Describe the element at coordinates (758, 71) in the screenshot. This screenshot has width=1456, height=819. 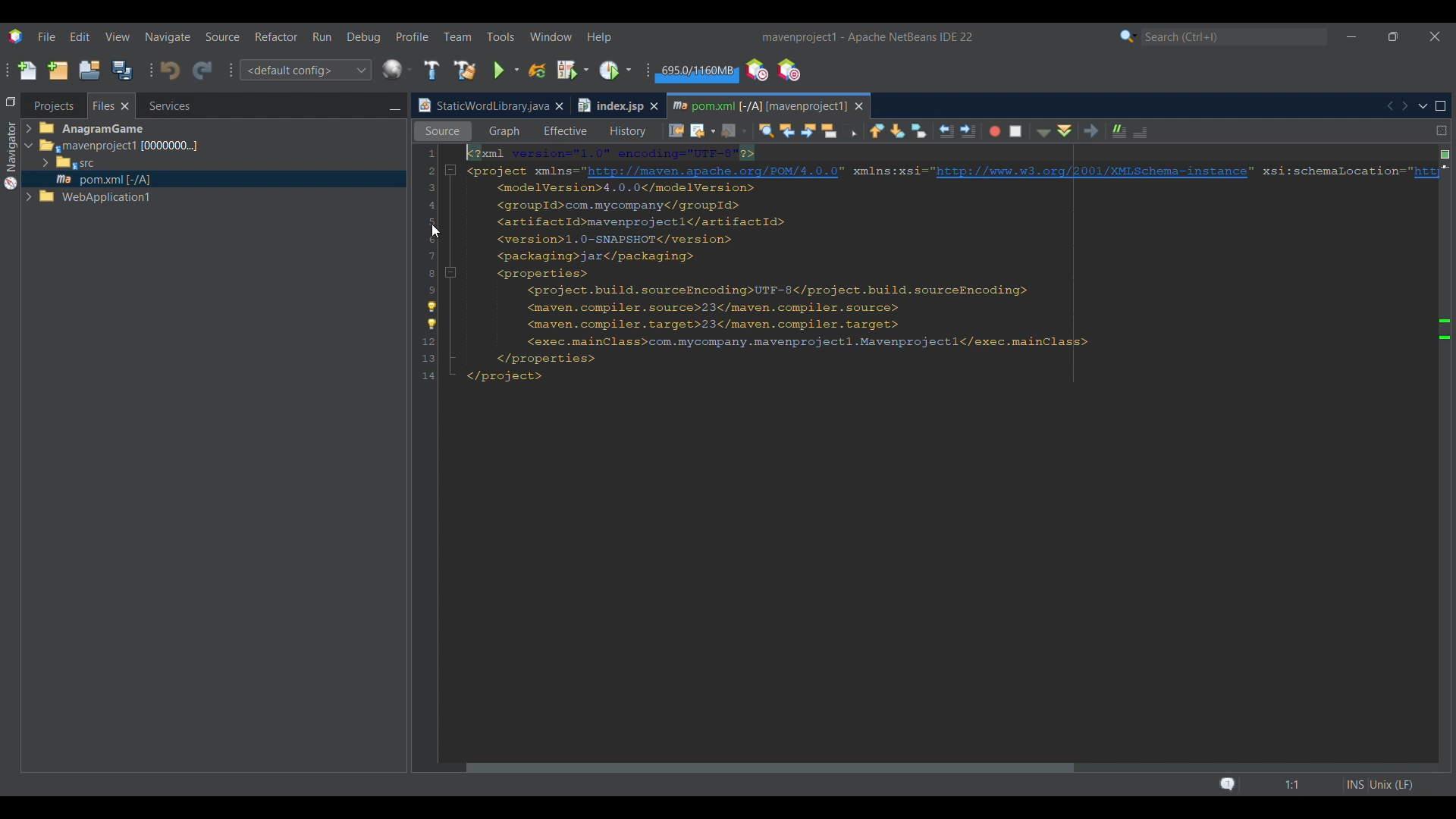
I see `Profile the IDE` at that location.